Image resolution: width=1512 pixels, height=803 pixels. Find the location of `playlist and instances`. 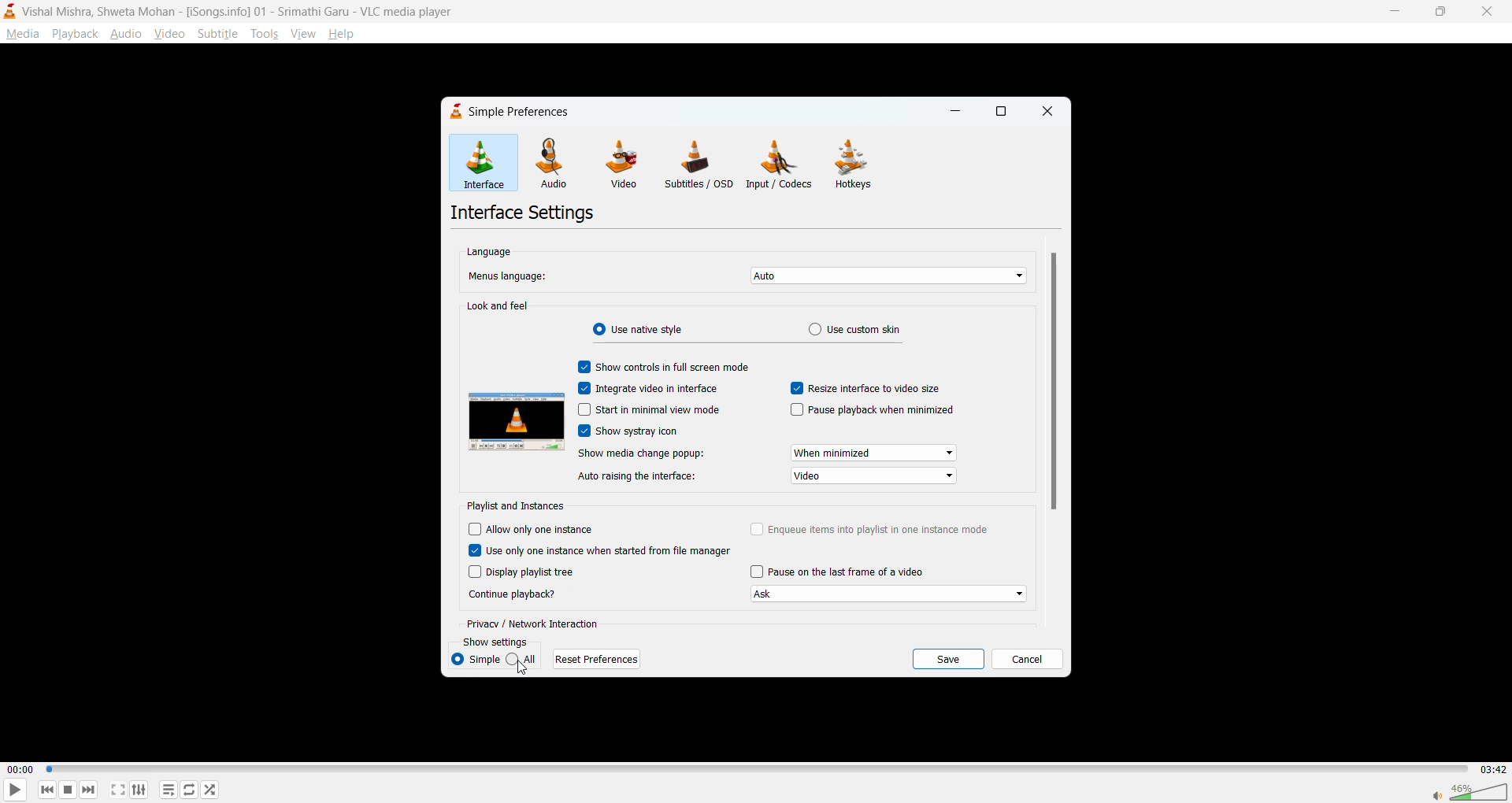

playlist and instances is located at coordinates (519, 505).